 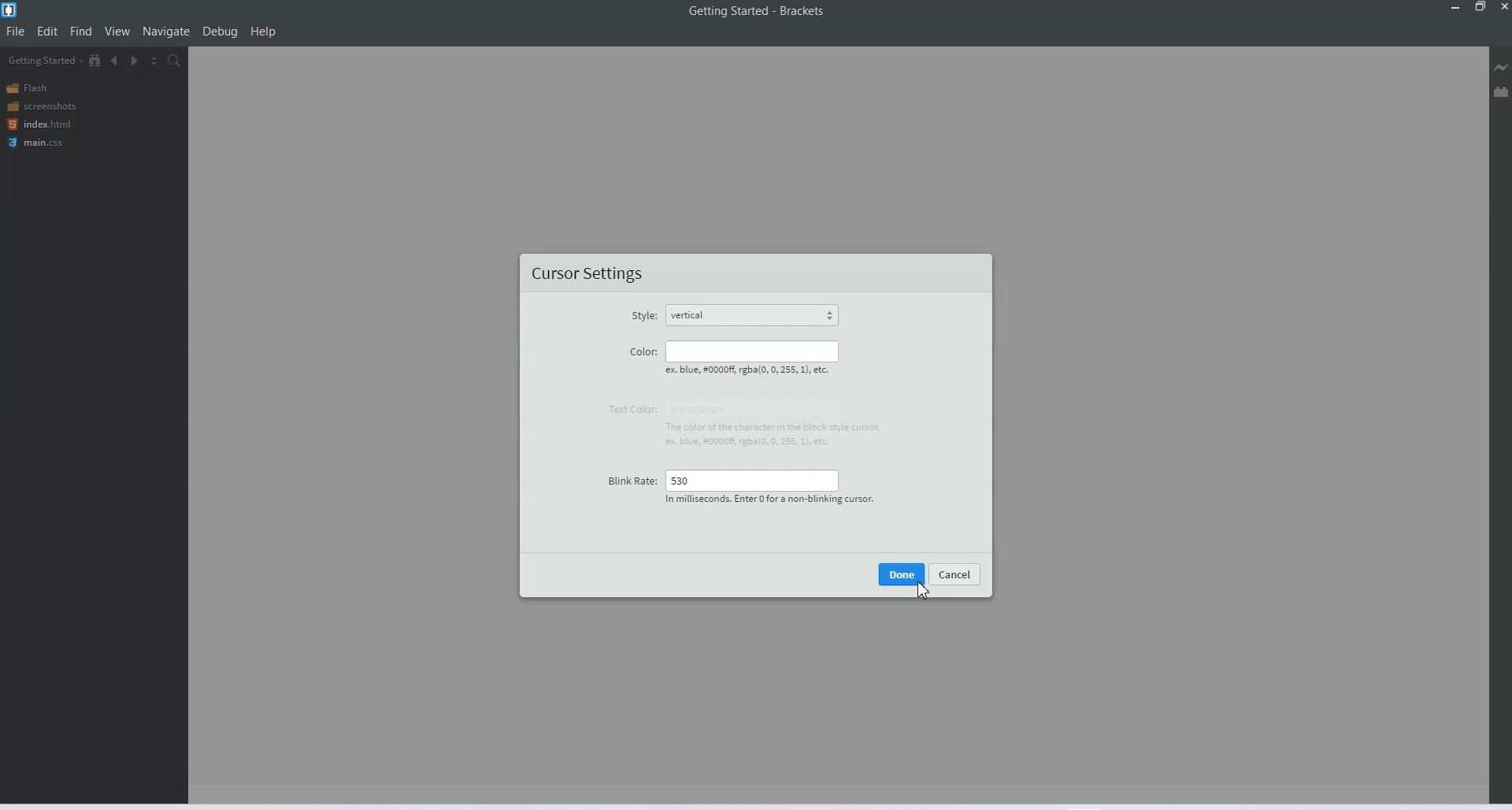 I want to click on done, so click(x=902, y=574).